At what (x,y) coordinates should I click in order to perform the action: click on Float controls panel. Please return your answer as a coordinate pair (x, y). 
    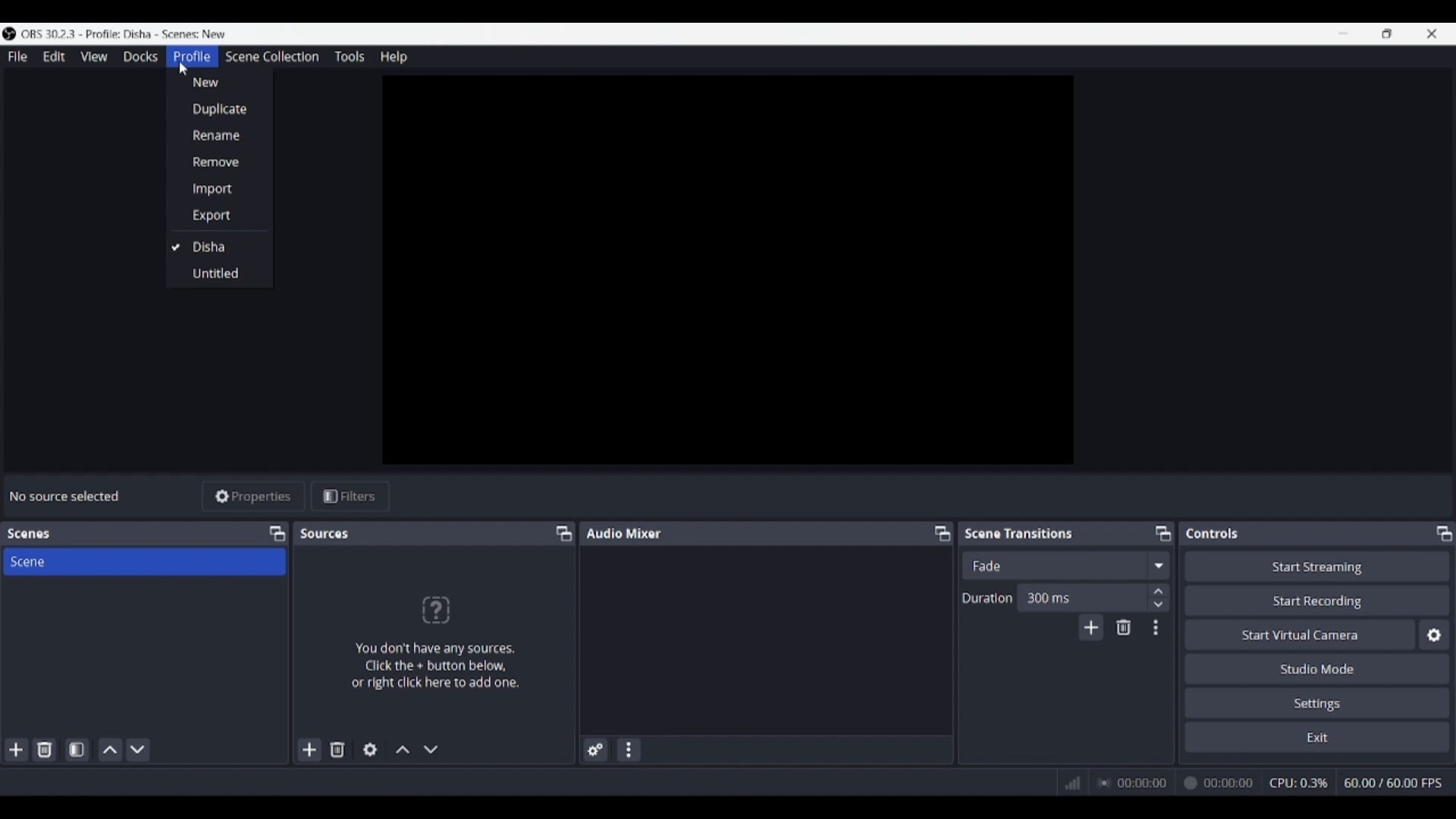
    Looking at the image, I should click on (1444, 533).